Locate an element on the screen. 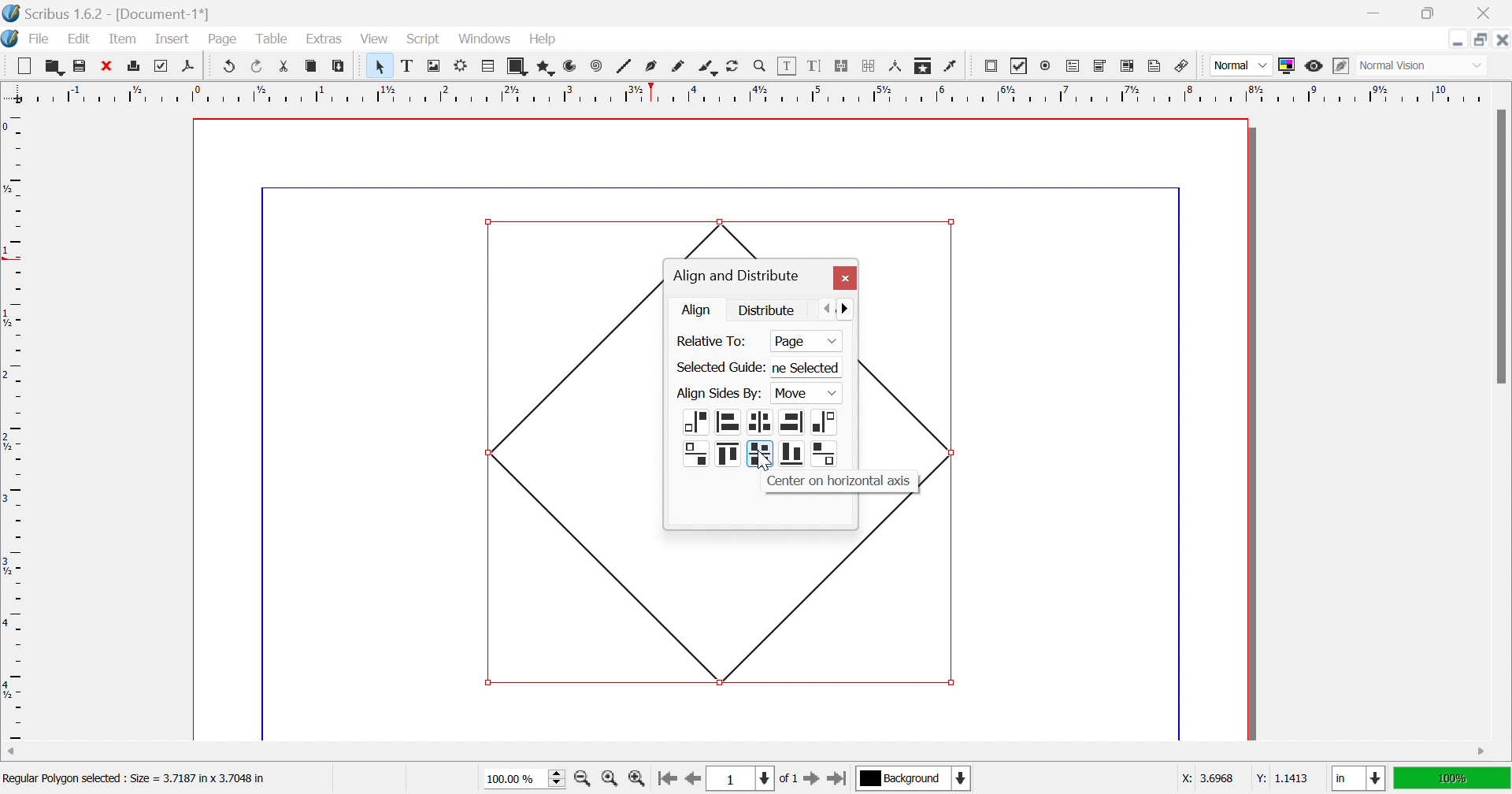 The width and height of the screenshot is (1512, 794). shape is located at coordinates (761, 235).